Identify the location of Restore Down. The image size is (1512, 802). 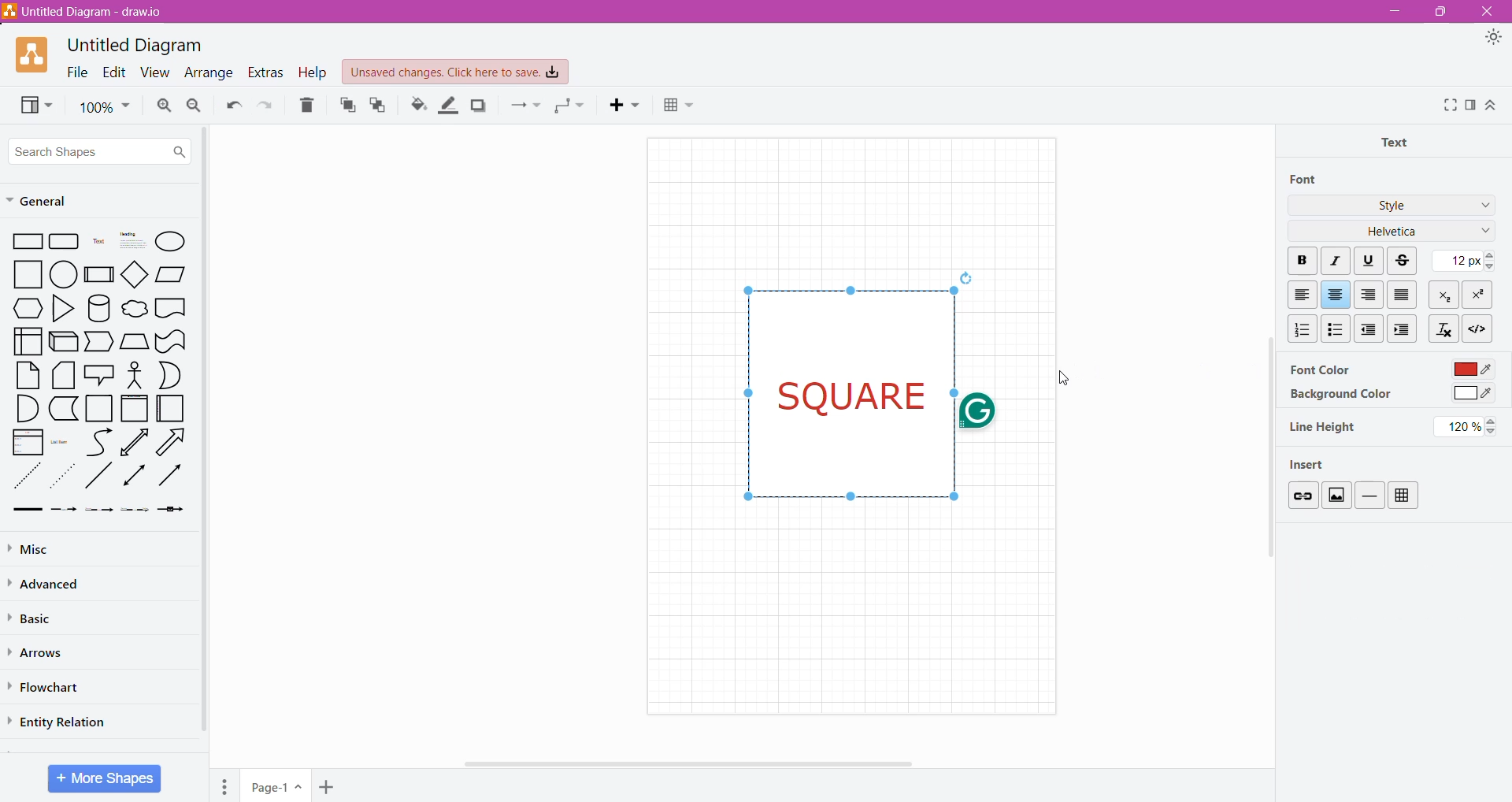
(1437, 13).